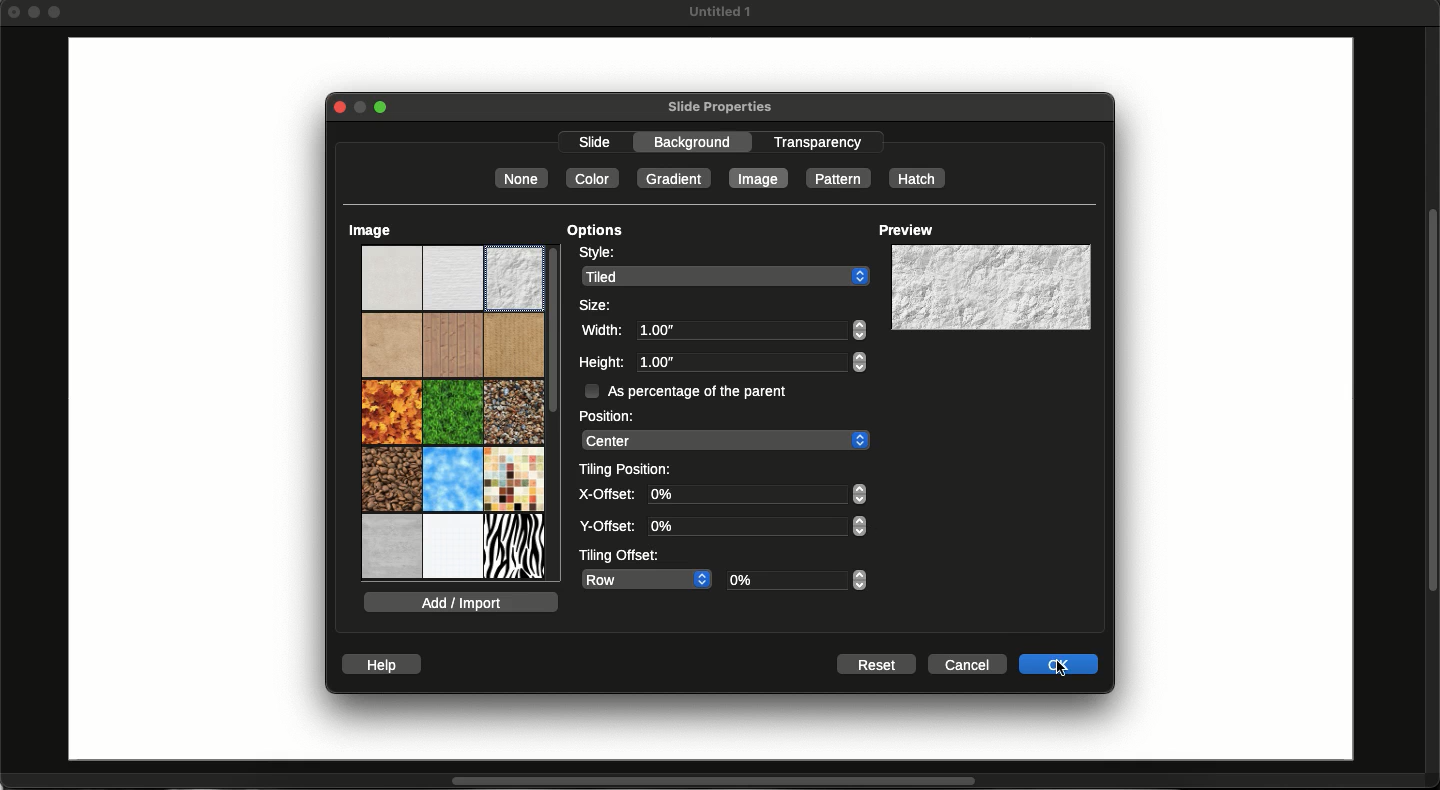 The width and height of the screenshot is (1440, 790). What do you see at coordinates (749, 330) in the screenshot?
I see `1.00` at bounding box center [749, 330].